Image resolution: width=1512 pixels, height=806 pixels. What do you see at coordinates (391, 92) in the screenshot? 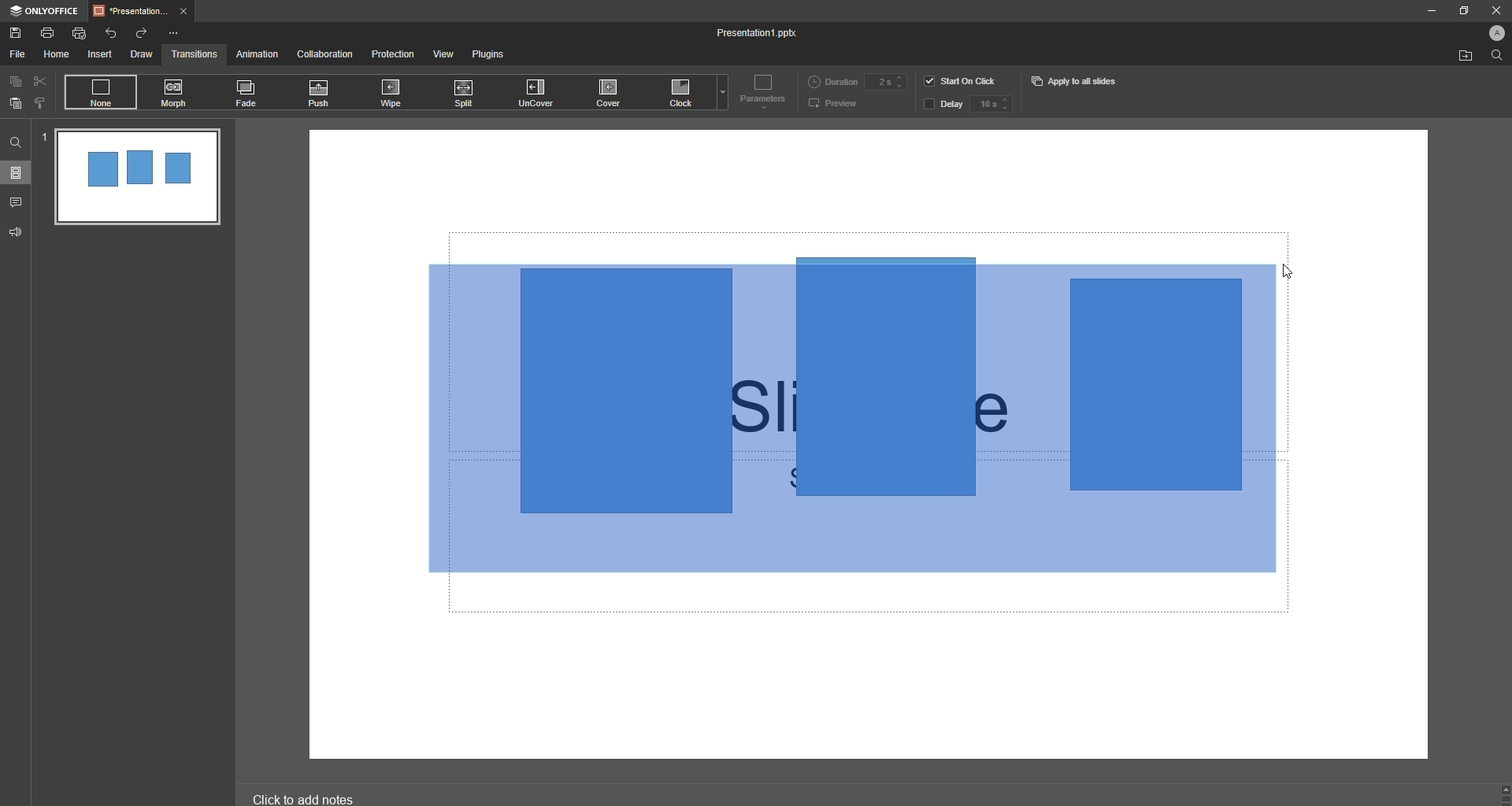
I see `Wipe` at bounding box center [391, 92].